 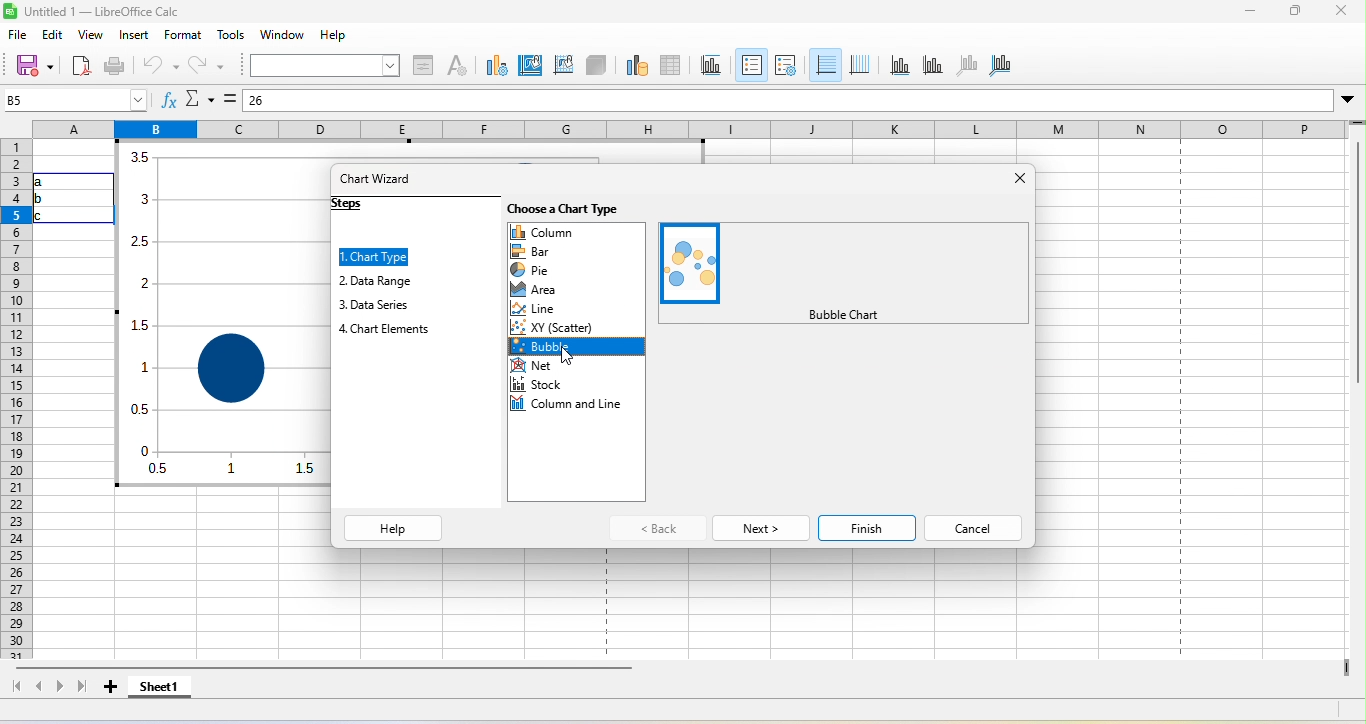 I want to click on help, so click(x=333, y=34).